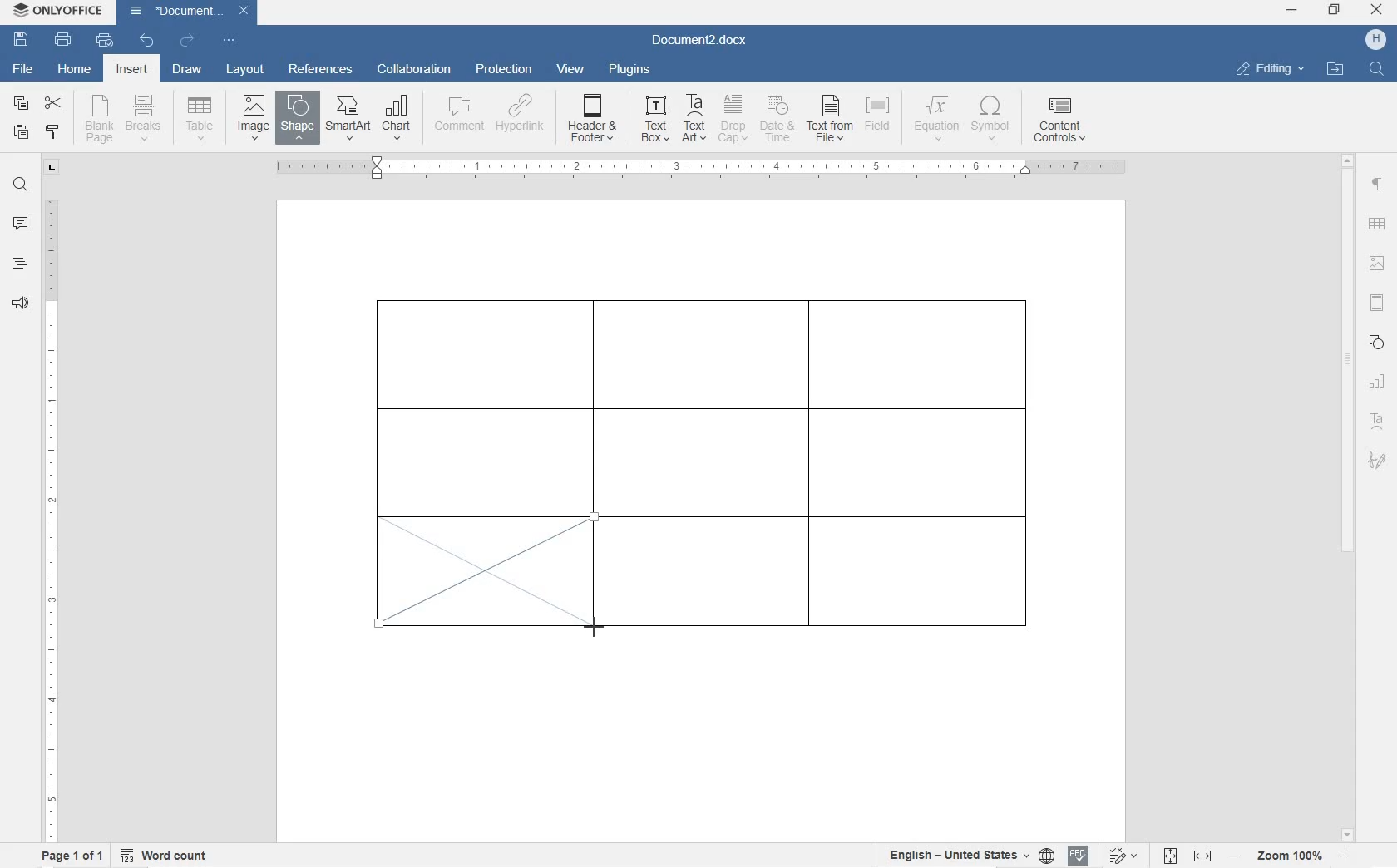 The image size is (1397, 868). Describe the element at coordinates (131, 70) in the screenshot. I see `insert` at that location.